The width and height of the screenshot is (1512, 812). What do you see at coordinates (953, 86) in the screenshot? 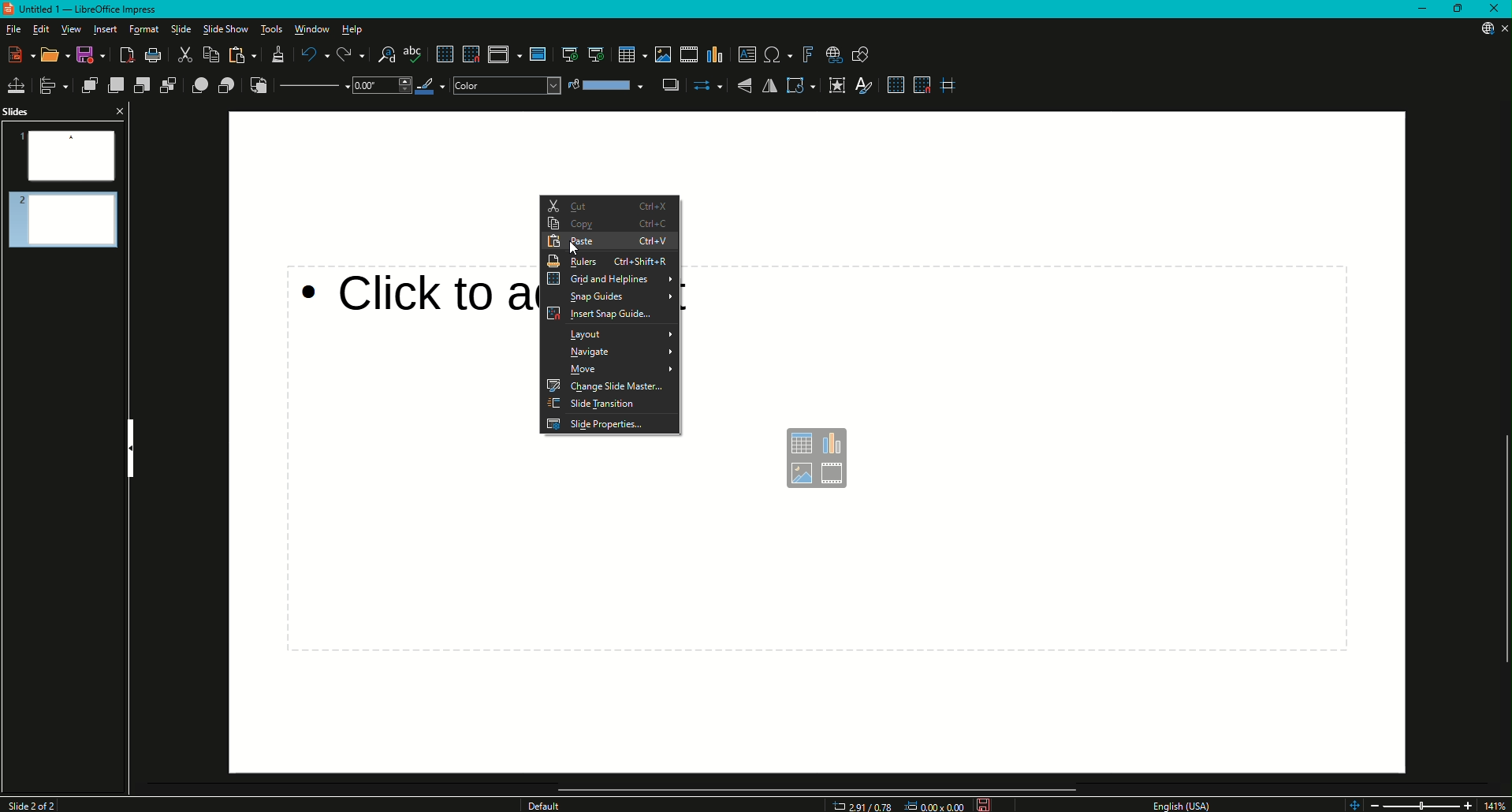
I see `Helplines While Moving` at bounding box center [953, 86].